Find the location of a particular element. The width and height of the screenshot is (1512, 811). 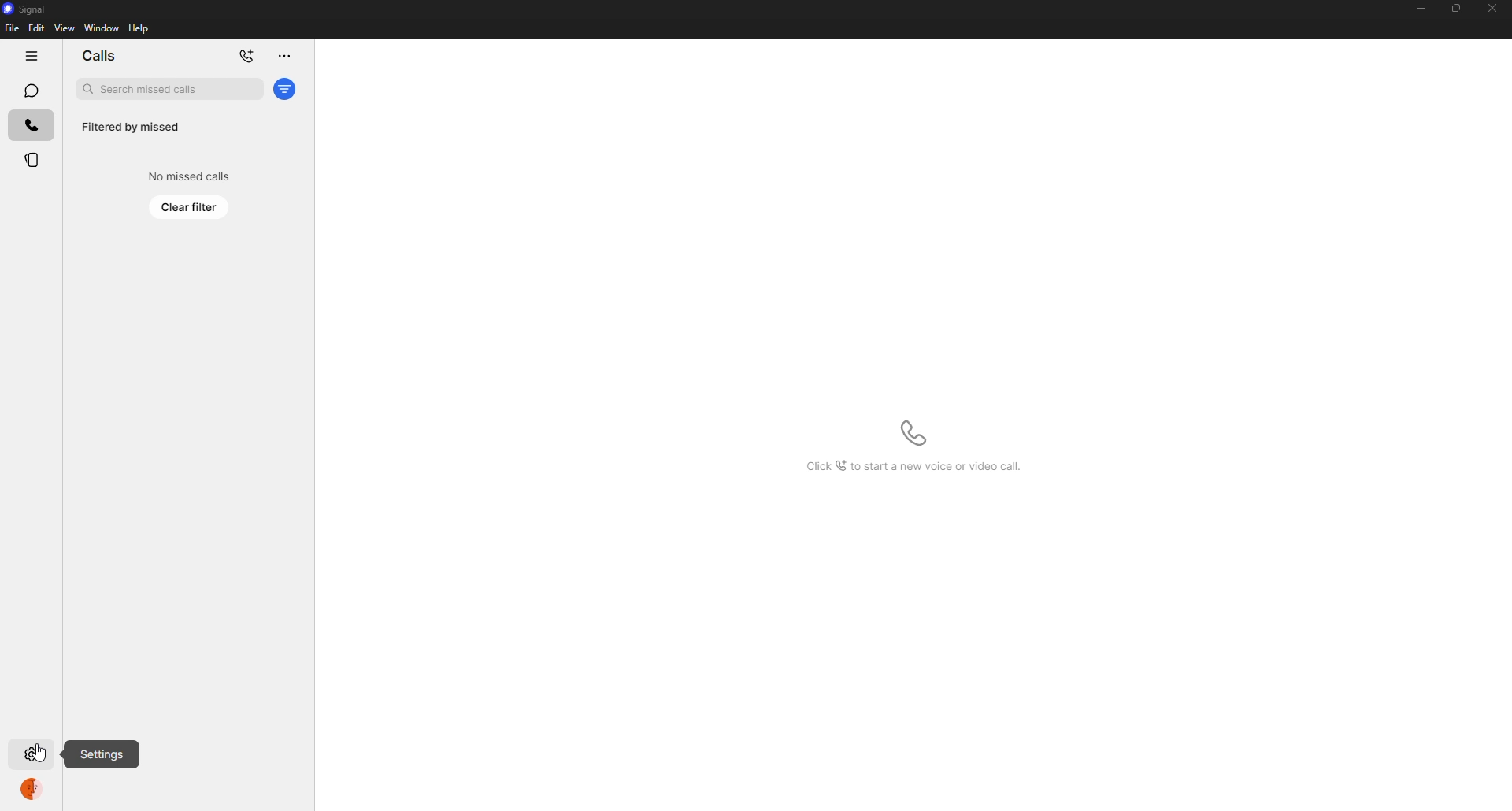

close is located at coordinates (1495, 9).